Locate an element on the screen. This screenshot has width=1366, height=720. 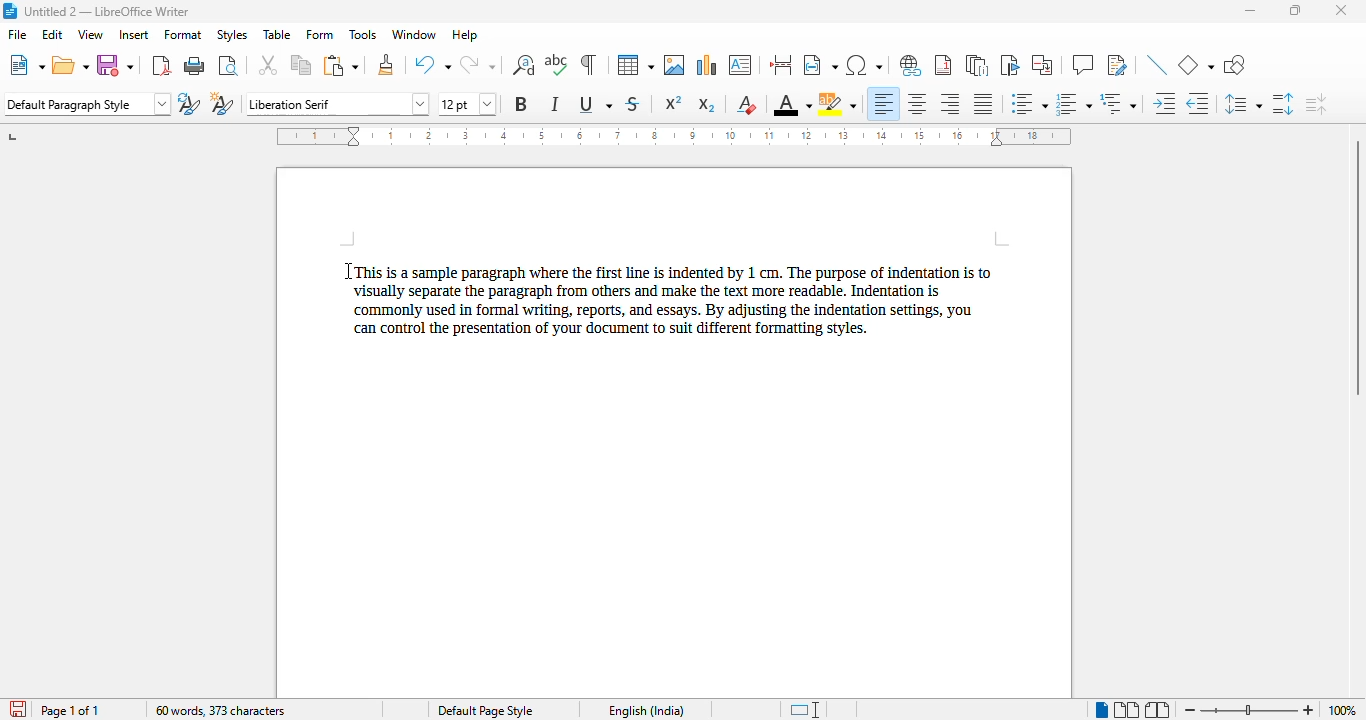
align left is located at coordinates (882, 104).